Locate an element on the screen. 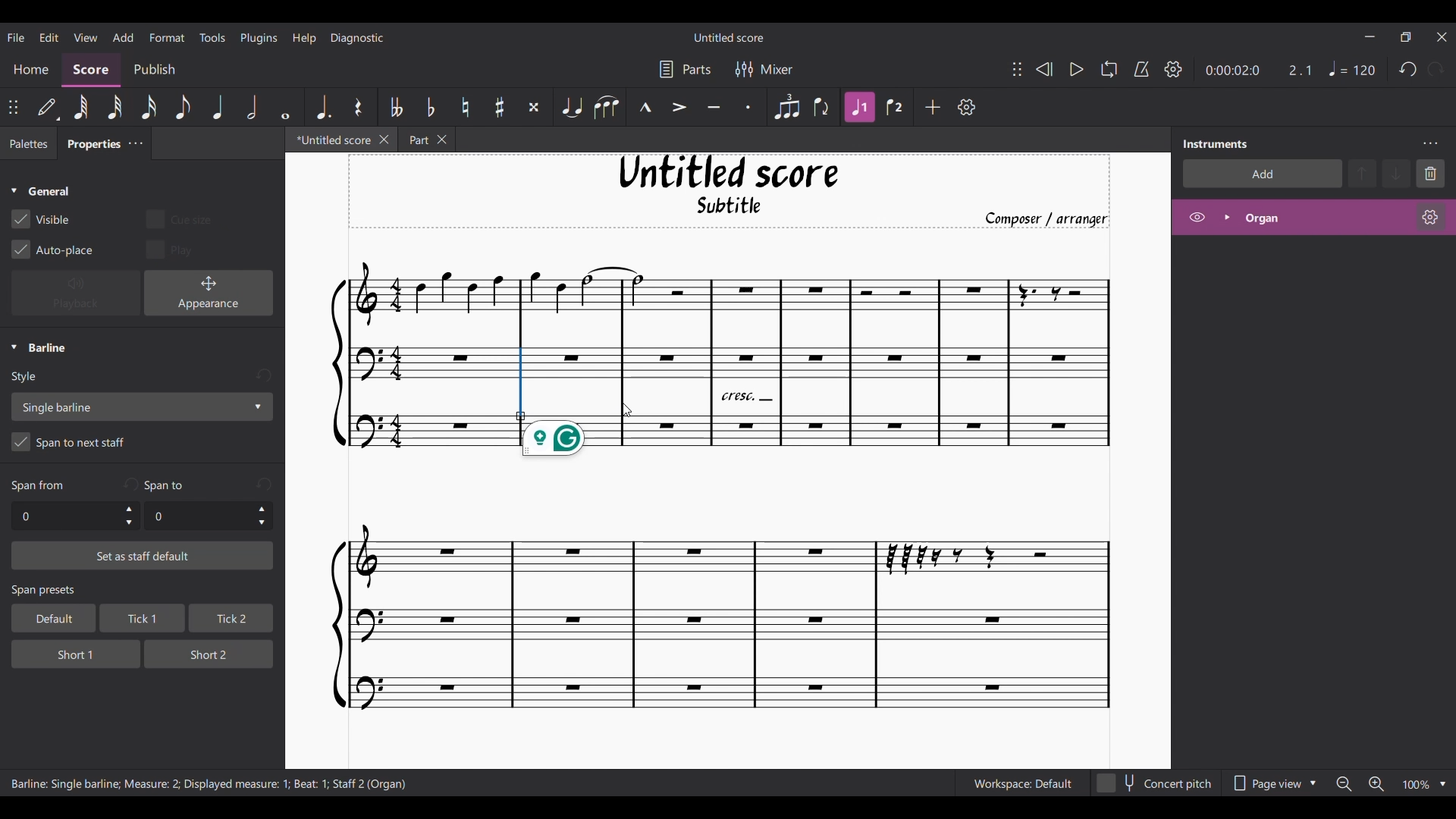  Staccato is located at coordinates (749, 107).